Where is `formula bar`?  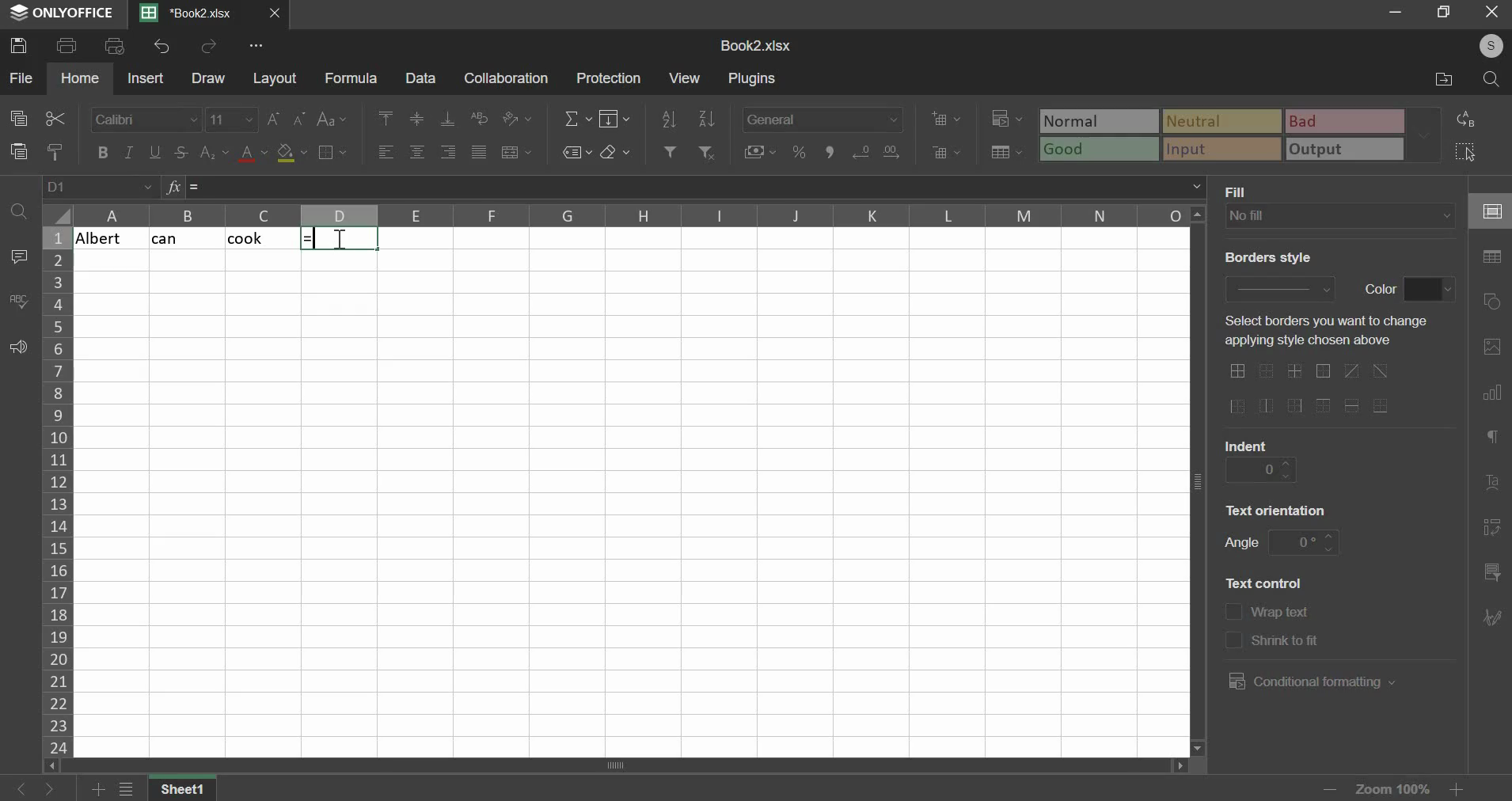
formula bar is located at coordinates (697, 187).